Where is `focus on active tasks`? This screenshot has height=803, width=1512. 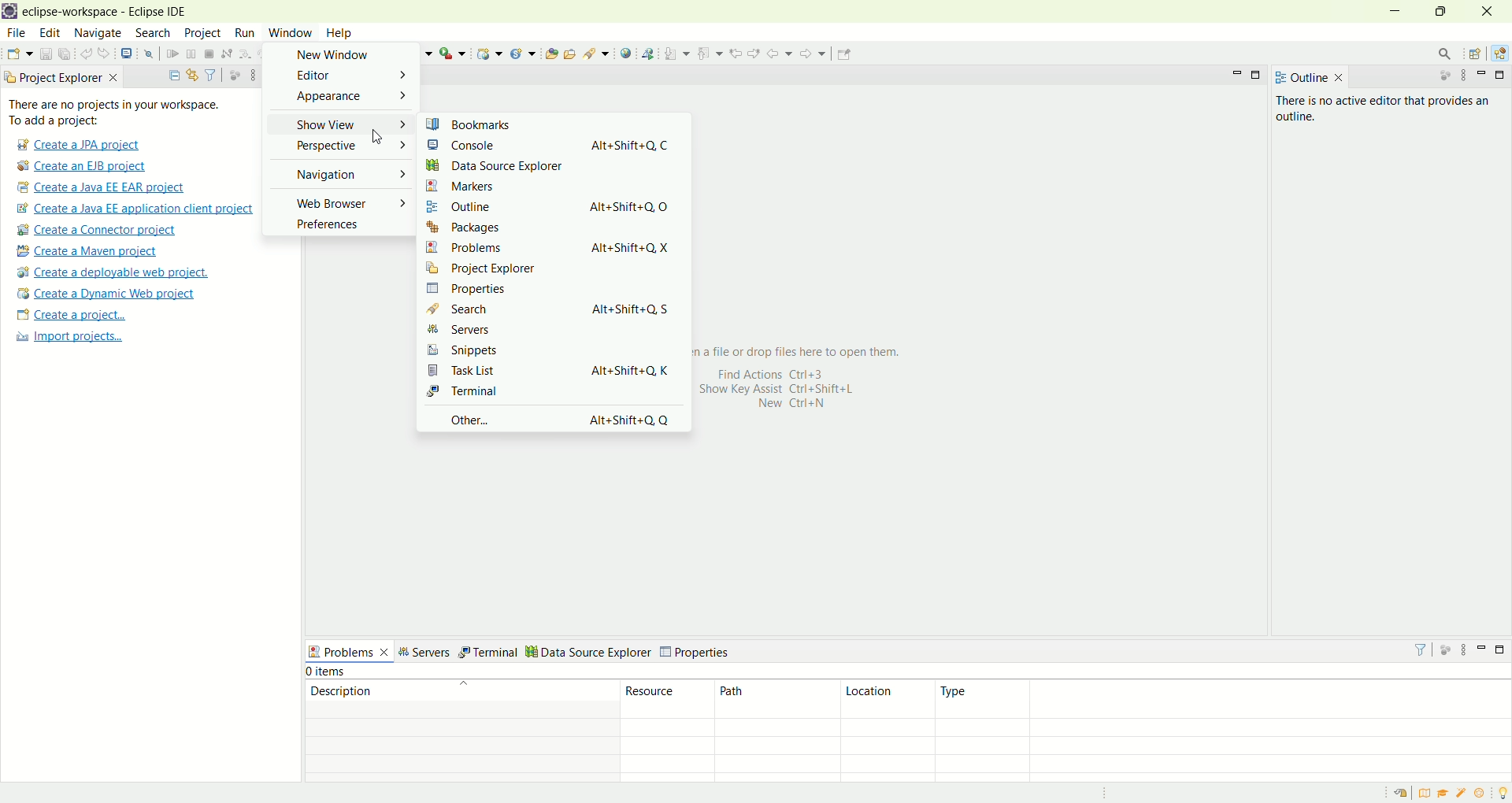
focus on active tasks is located at coordinates (232, 75).